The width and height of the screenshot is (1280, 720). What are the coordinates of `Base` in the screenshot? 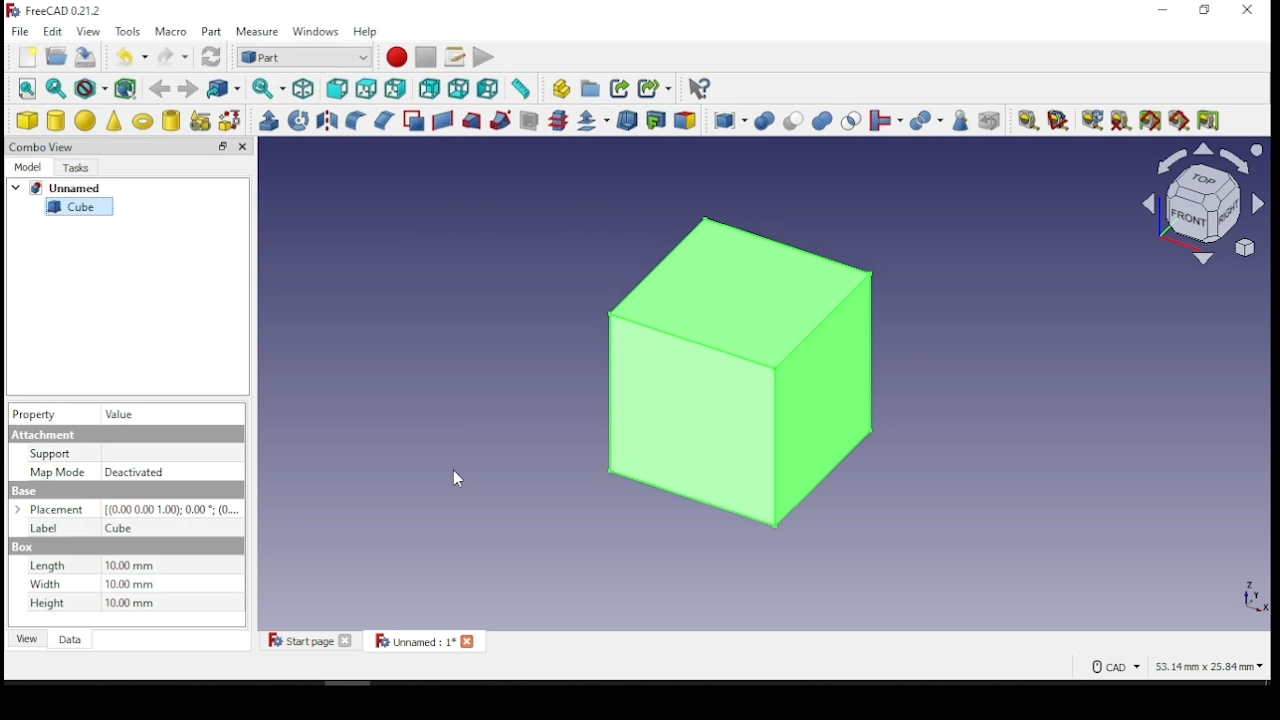 It's located at (25, 491).